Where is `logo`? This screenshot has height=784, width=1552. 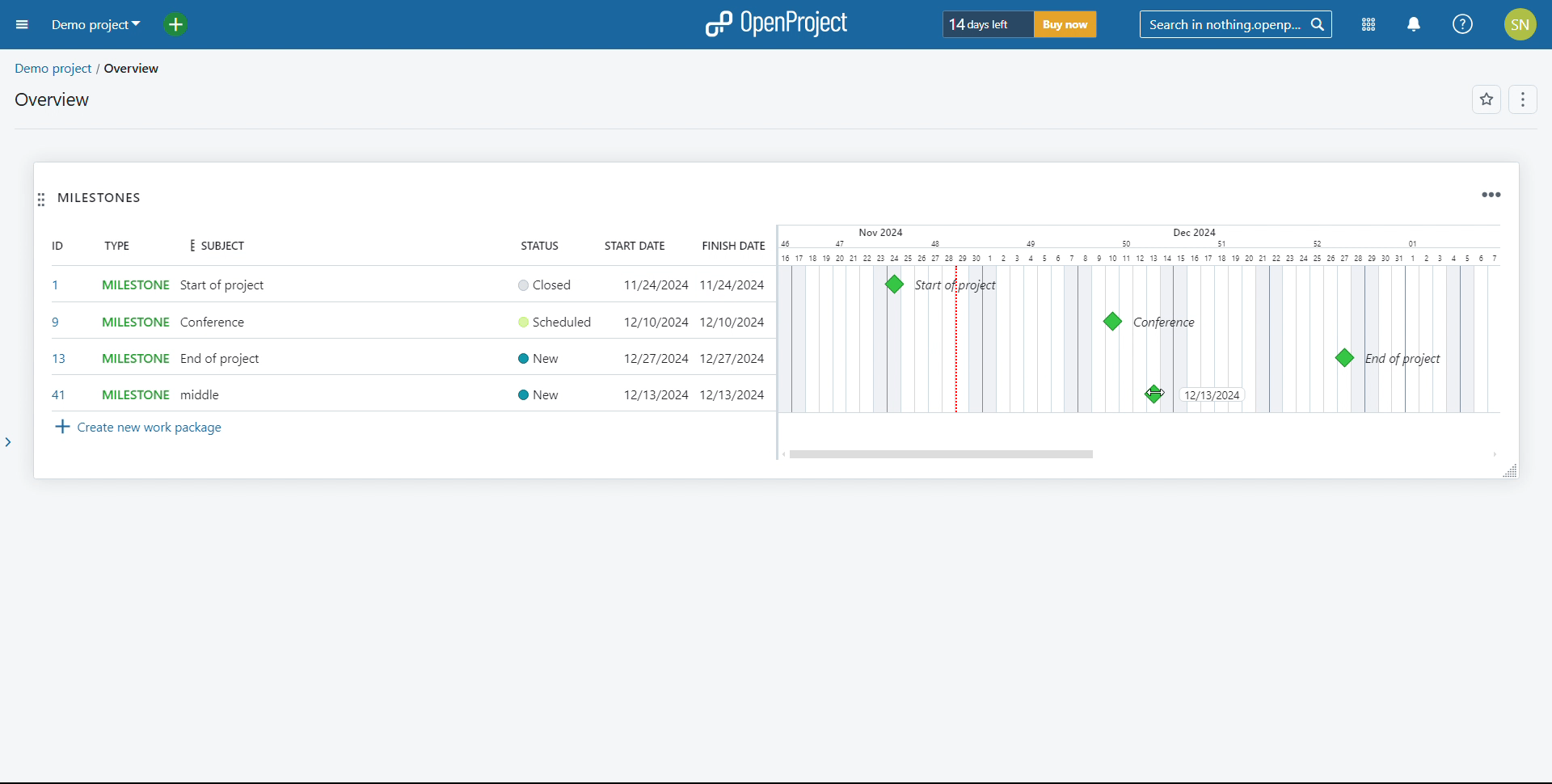 logo is located at coordinates (778, 23).